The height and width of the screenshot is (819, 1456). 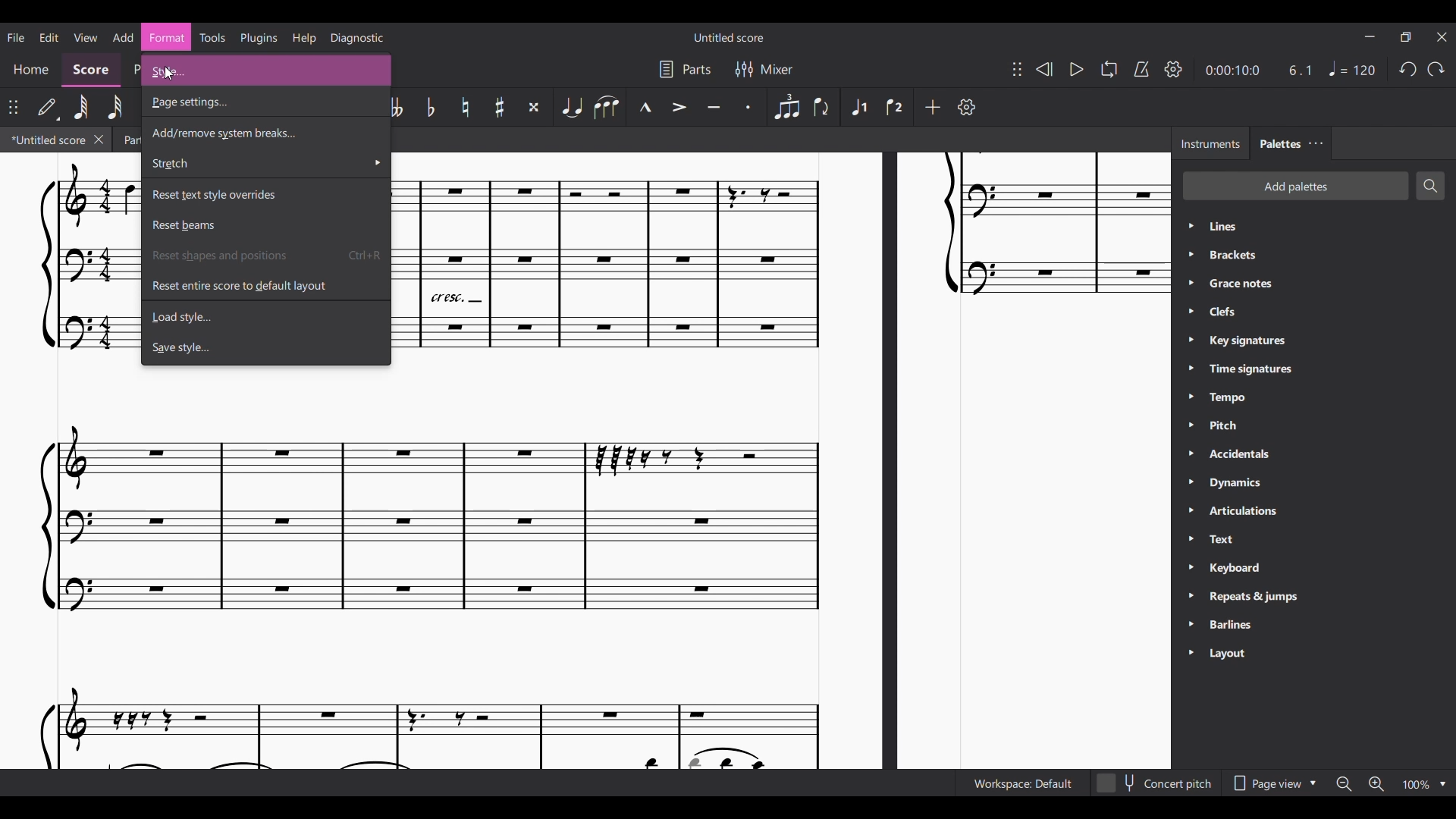 I want to click on Mixer settings, so click(x=764, y=68).